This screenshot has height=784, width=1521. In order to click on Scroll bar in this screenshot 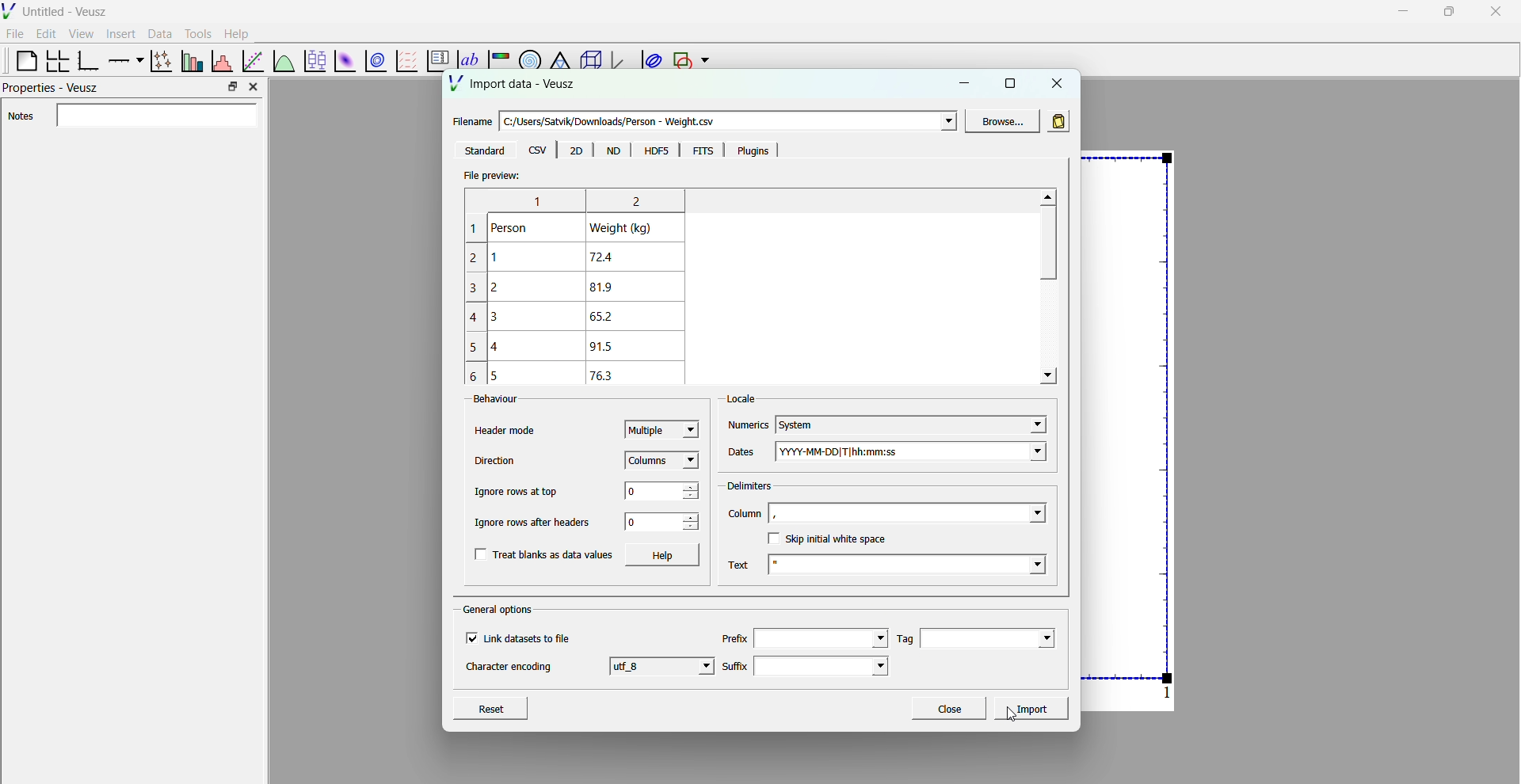, I will do `click(1046, 247)`.